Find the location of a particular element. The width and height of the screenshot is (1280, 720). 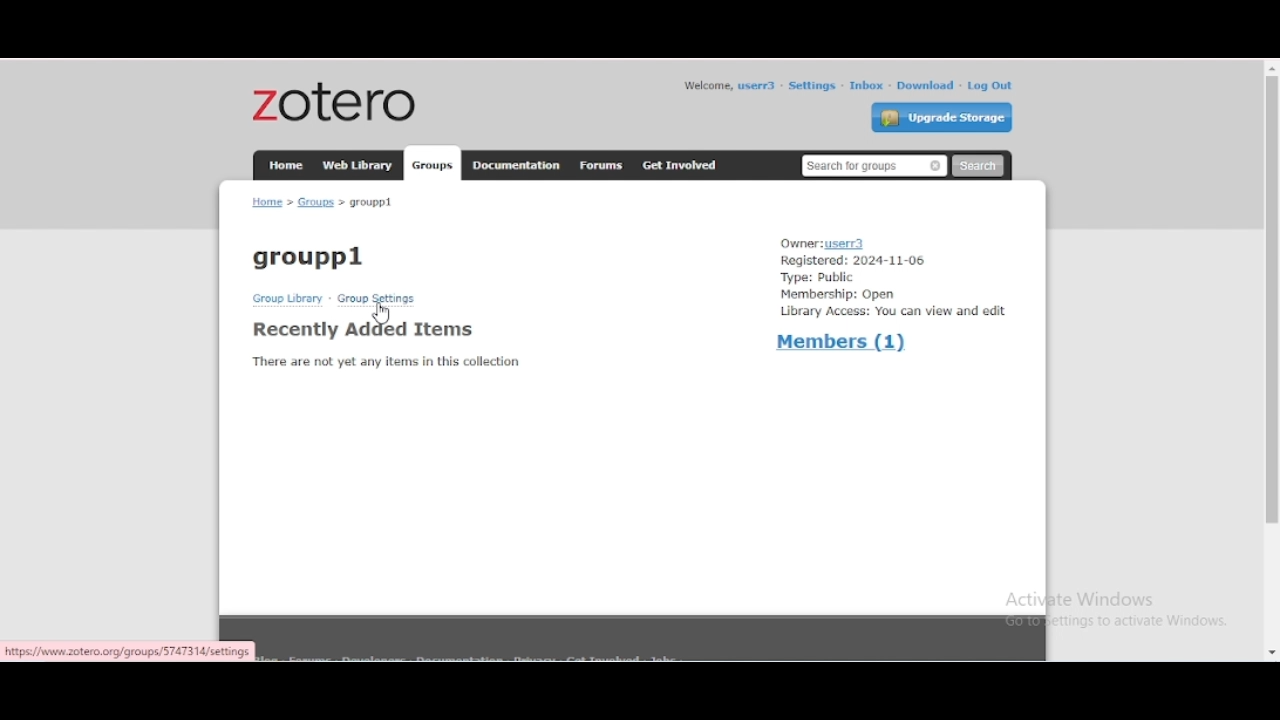

profile is located at coordinates (758, 85).